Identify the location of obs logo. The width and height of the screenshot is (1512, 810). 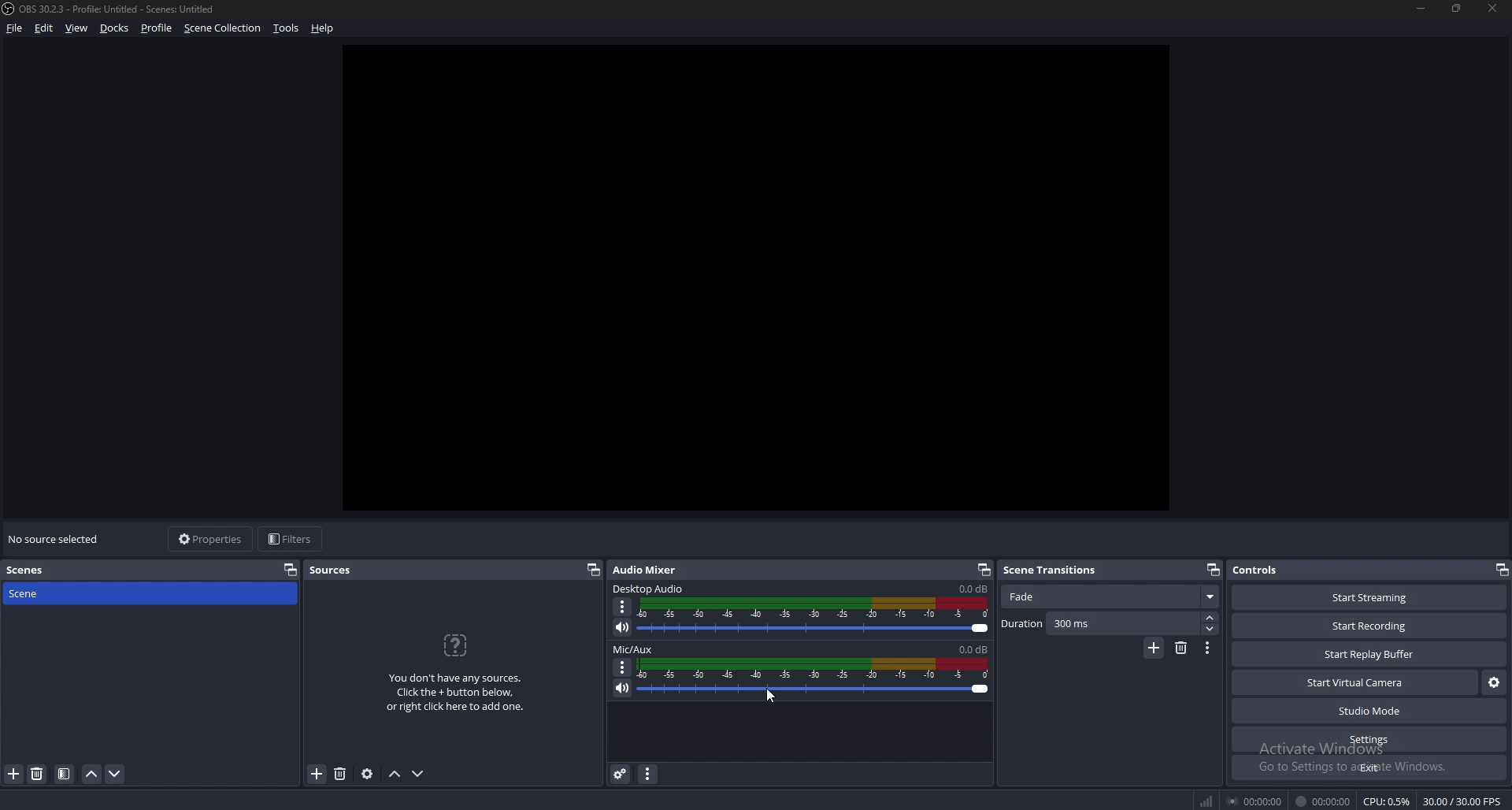
(9, 8).